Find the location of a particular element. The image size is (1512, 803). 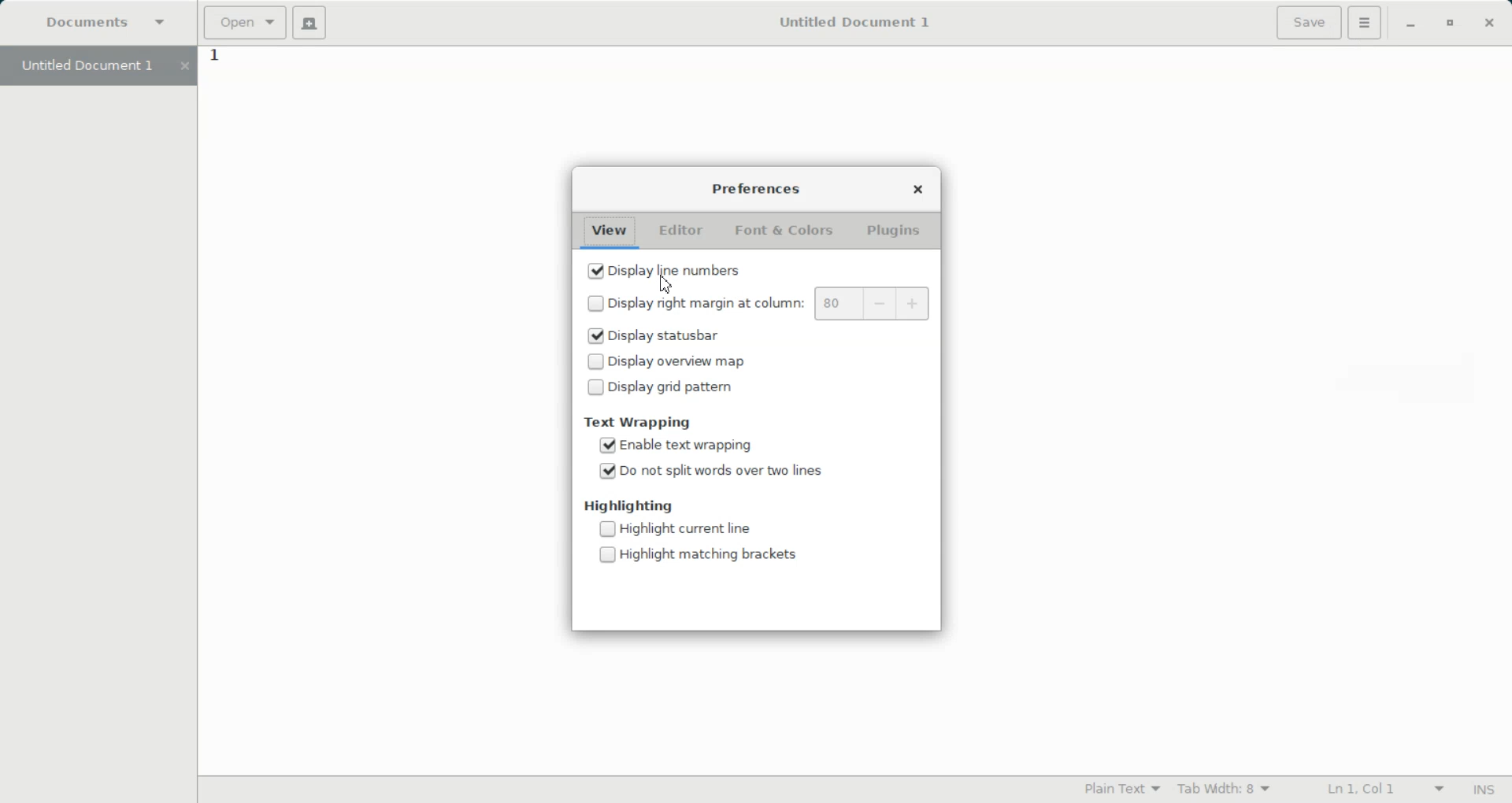

View is located at coordinates (611, 231).